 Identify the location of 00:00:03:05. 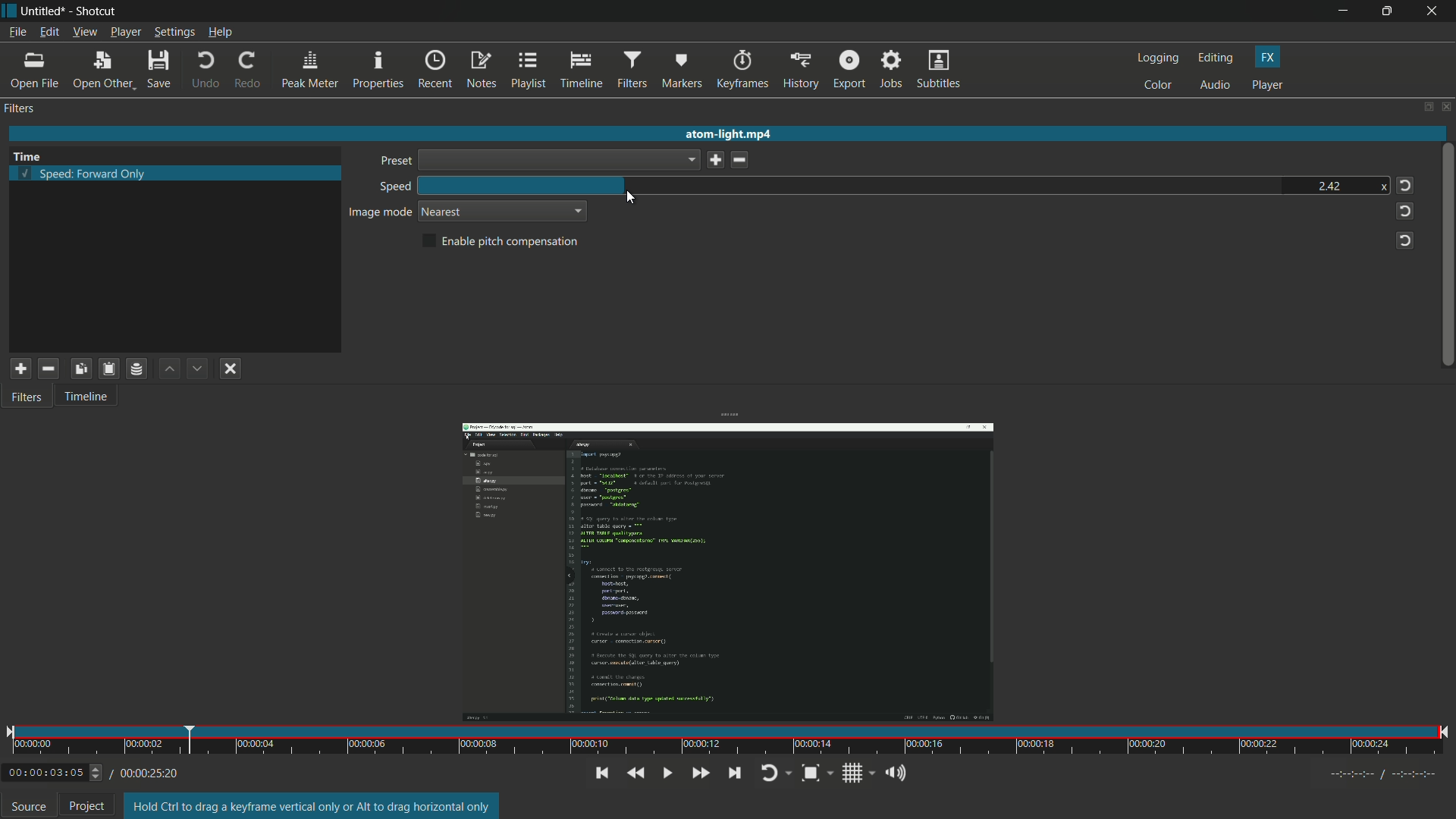
(54, 771).